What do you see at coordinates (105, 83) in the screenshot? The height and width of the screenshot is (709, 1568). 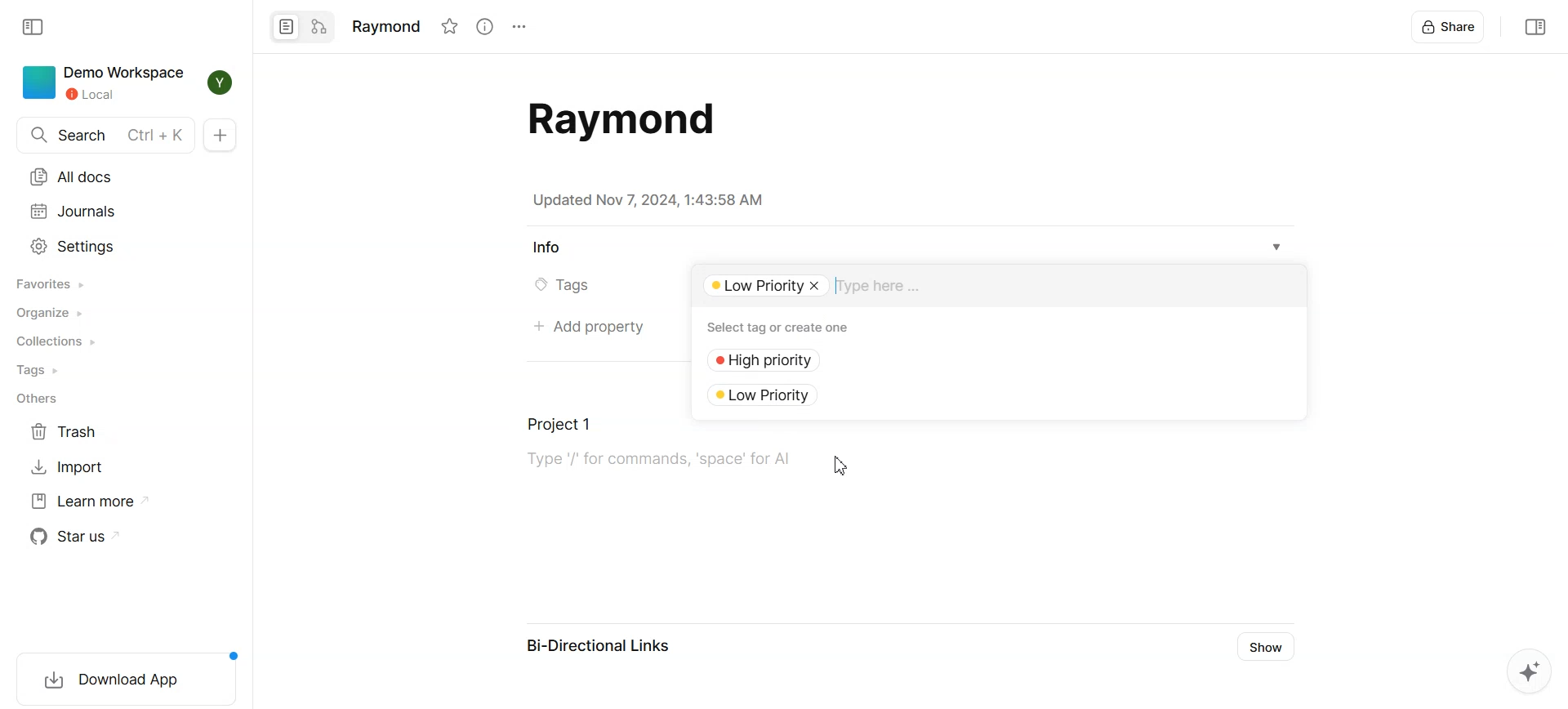 I see `Demo Workspace` at bounding box center [105, 83].